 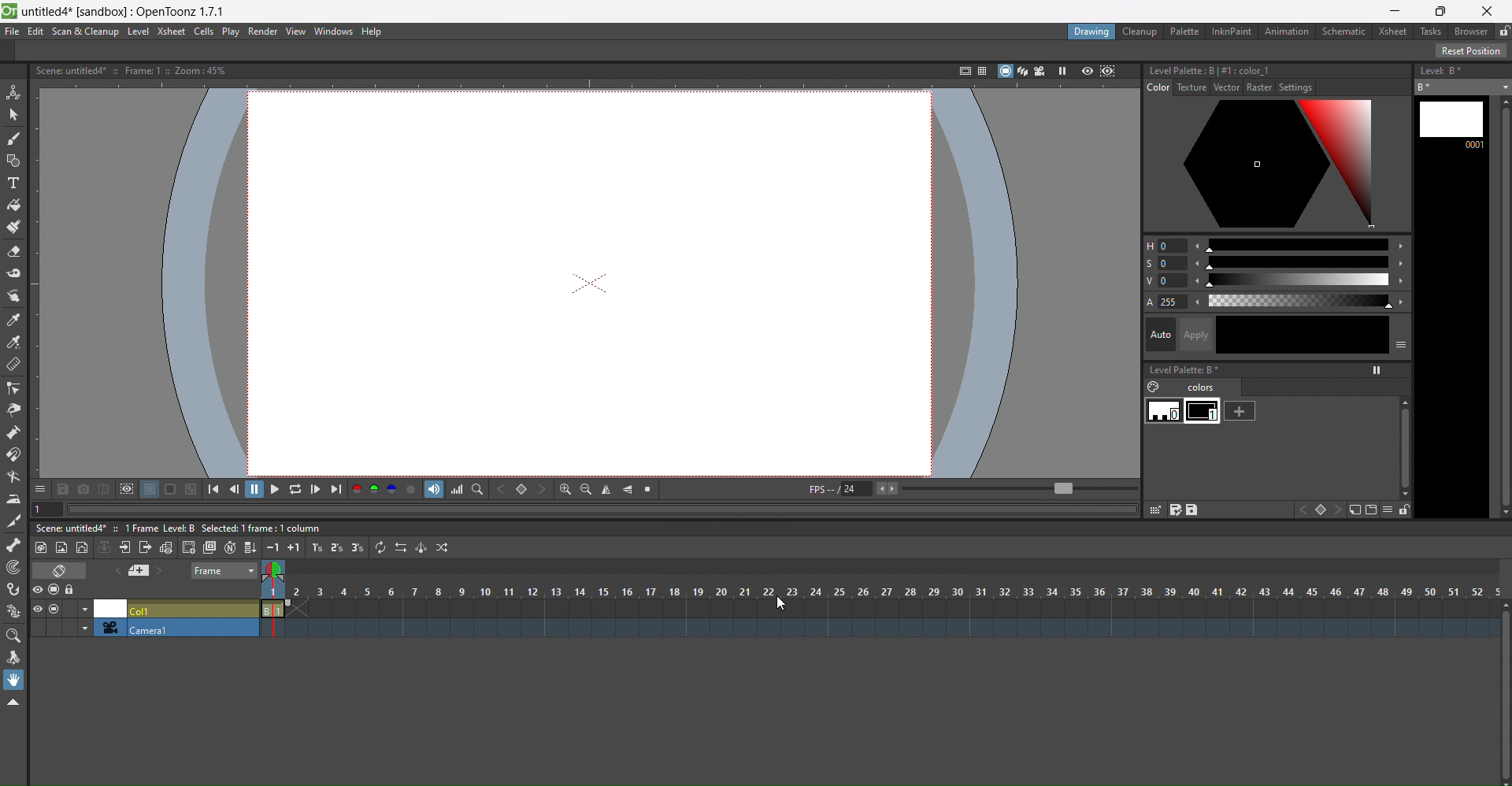 What do you see at coordinates (13, 658) in the screenshot?
I see `rotate tool` at bounding box center [13, 658].